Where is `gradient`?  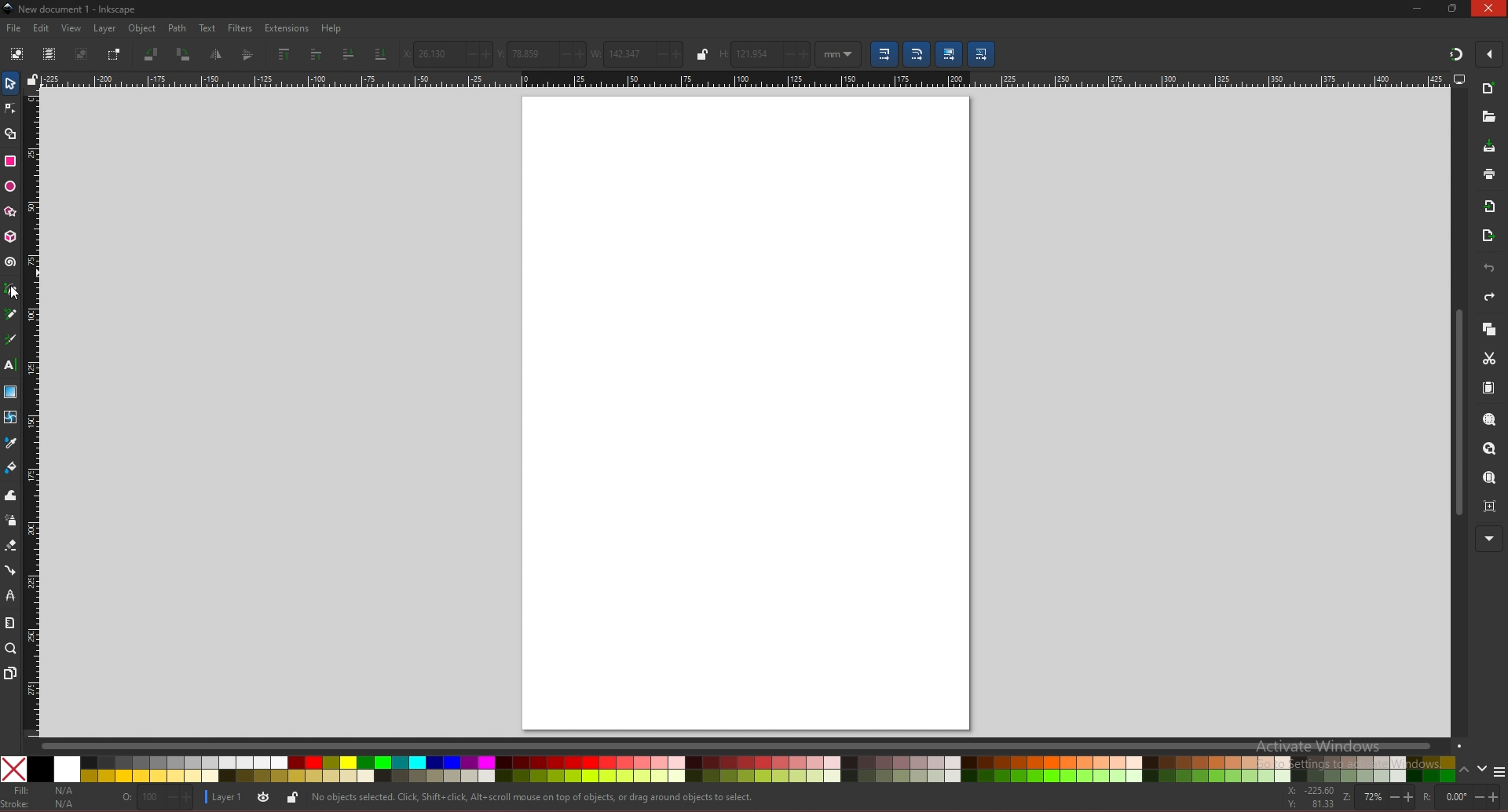 gradient is located at coordinates (11, 392).